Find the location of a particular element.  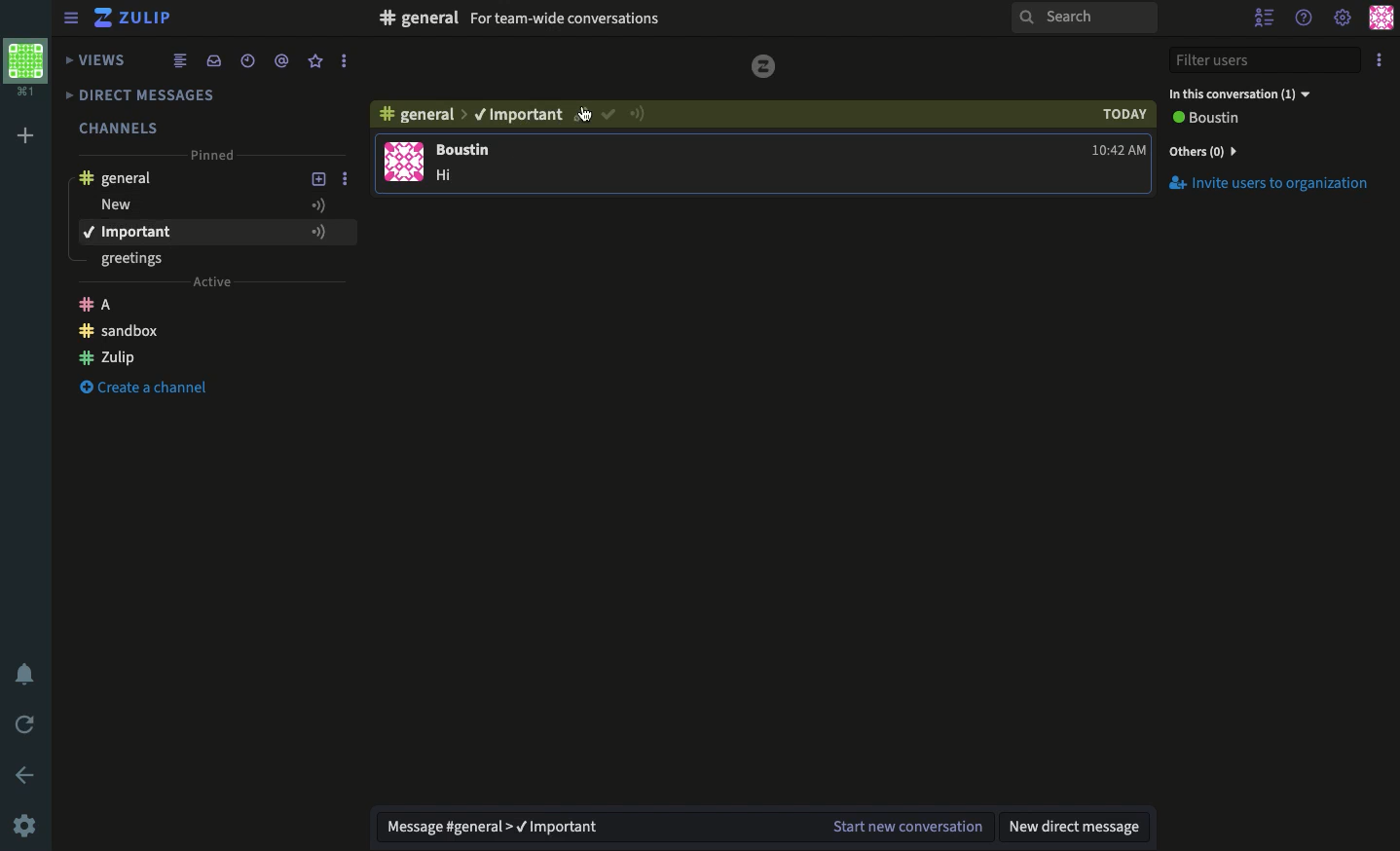

Back is located at coordinates (24, 773).